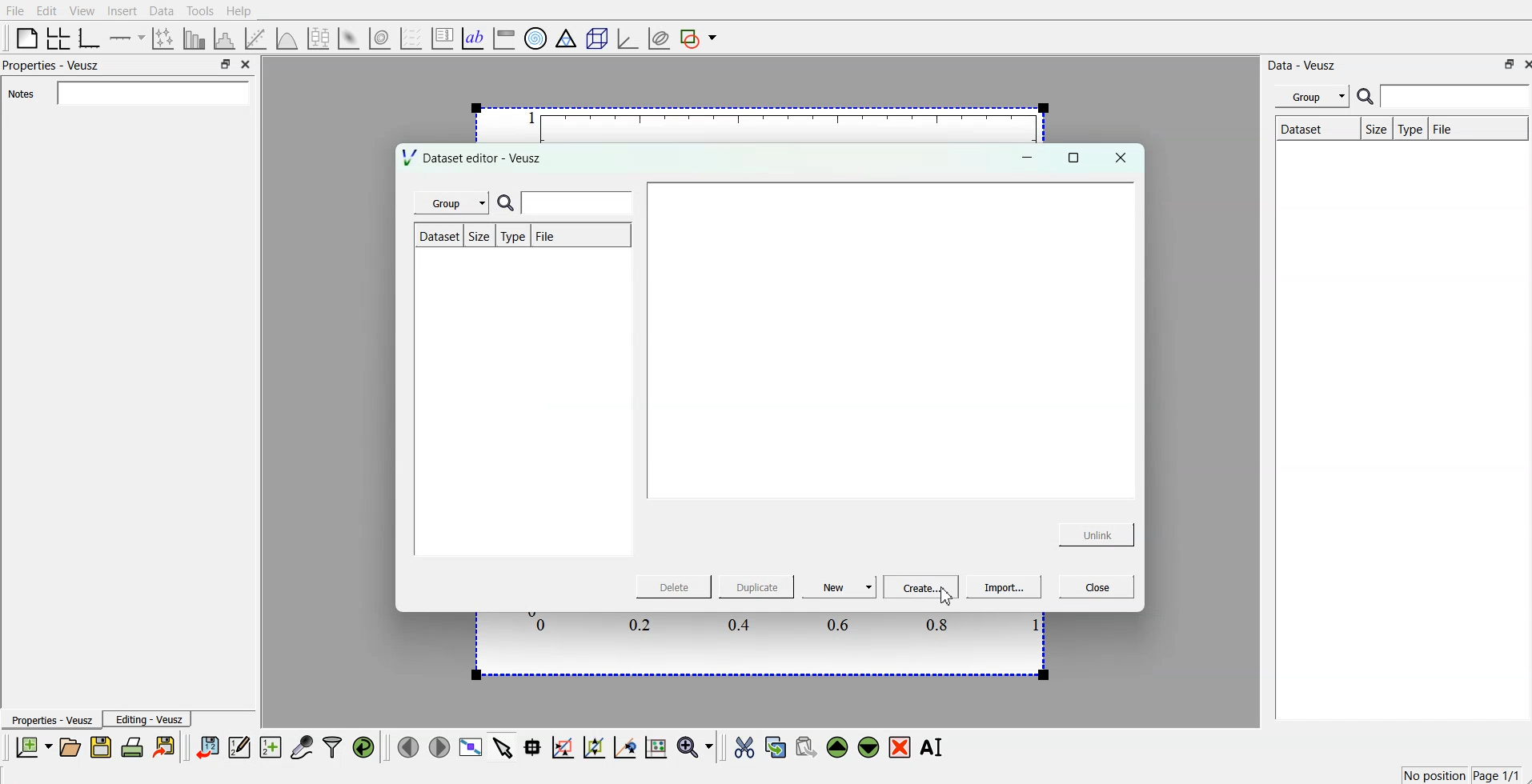 The width and height of the screenshot is (1532, 784). I want to click on print document, so click(133, 749).